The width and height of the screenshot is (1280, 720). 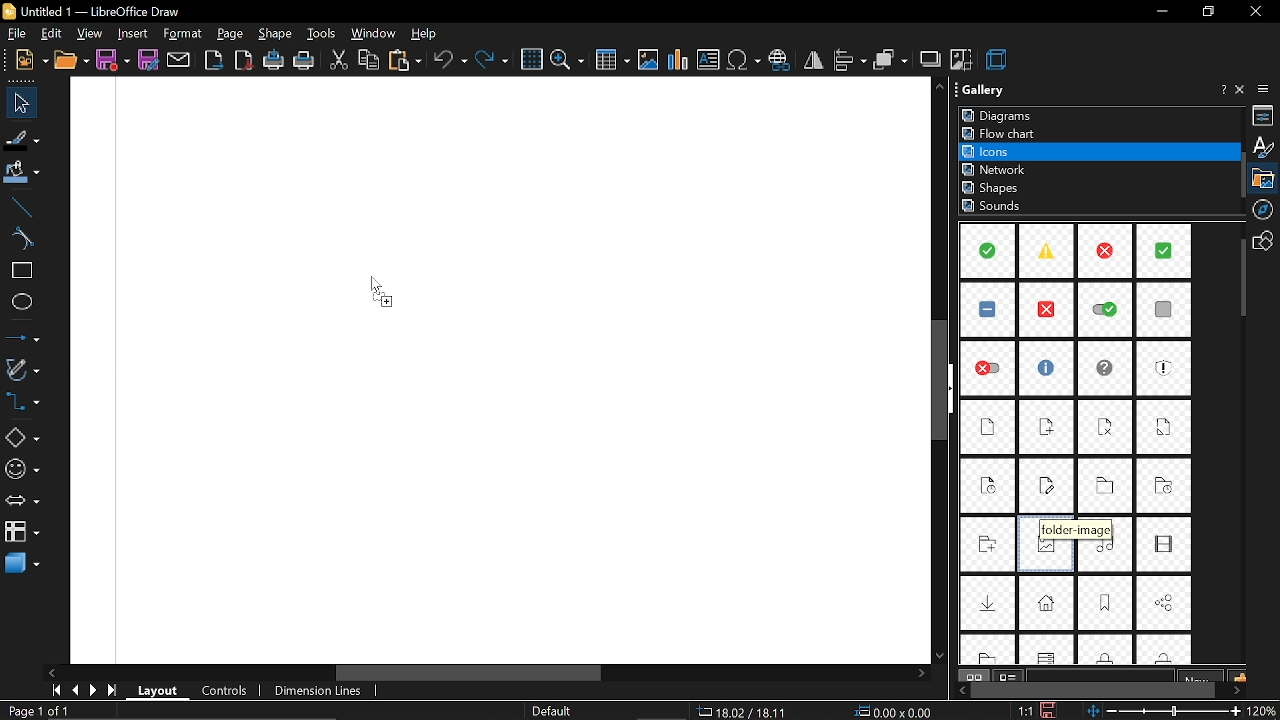 What do you see at coordinates (22, 471) in the screenshot?
I see `symbol shapes` at bounding box center [22, 471].